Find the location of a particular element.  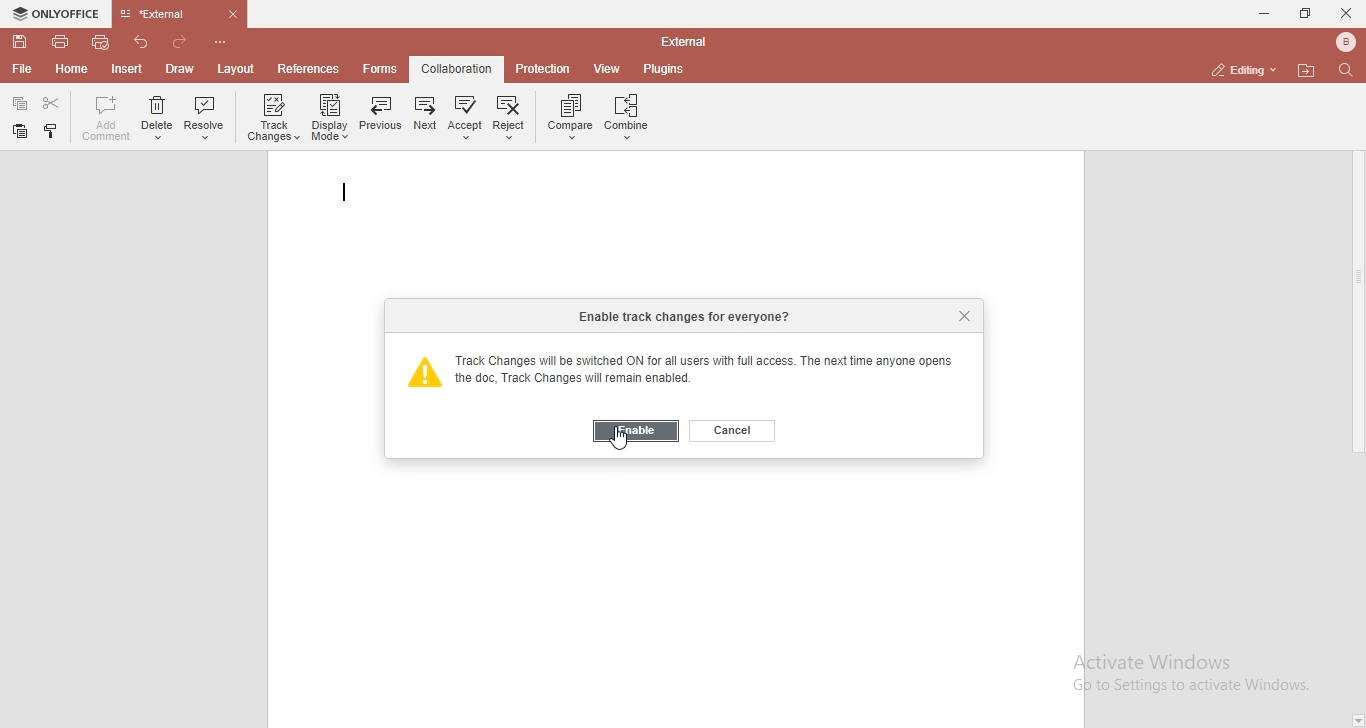

close is located at coordinates (966, 317).